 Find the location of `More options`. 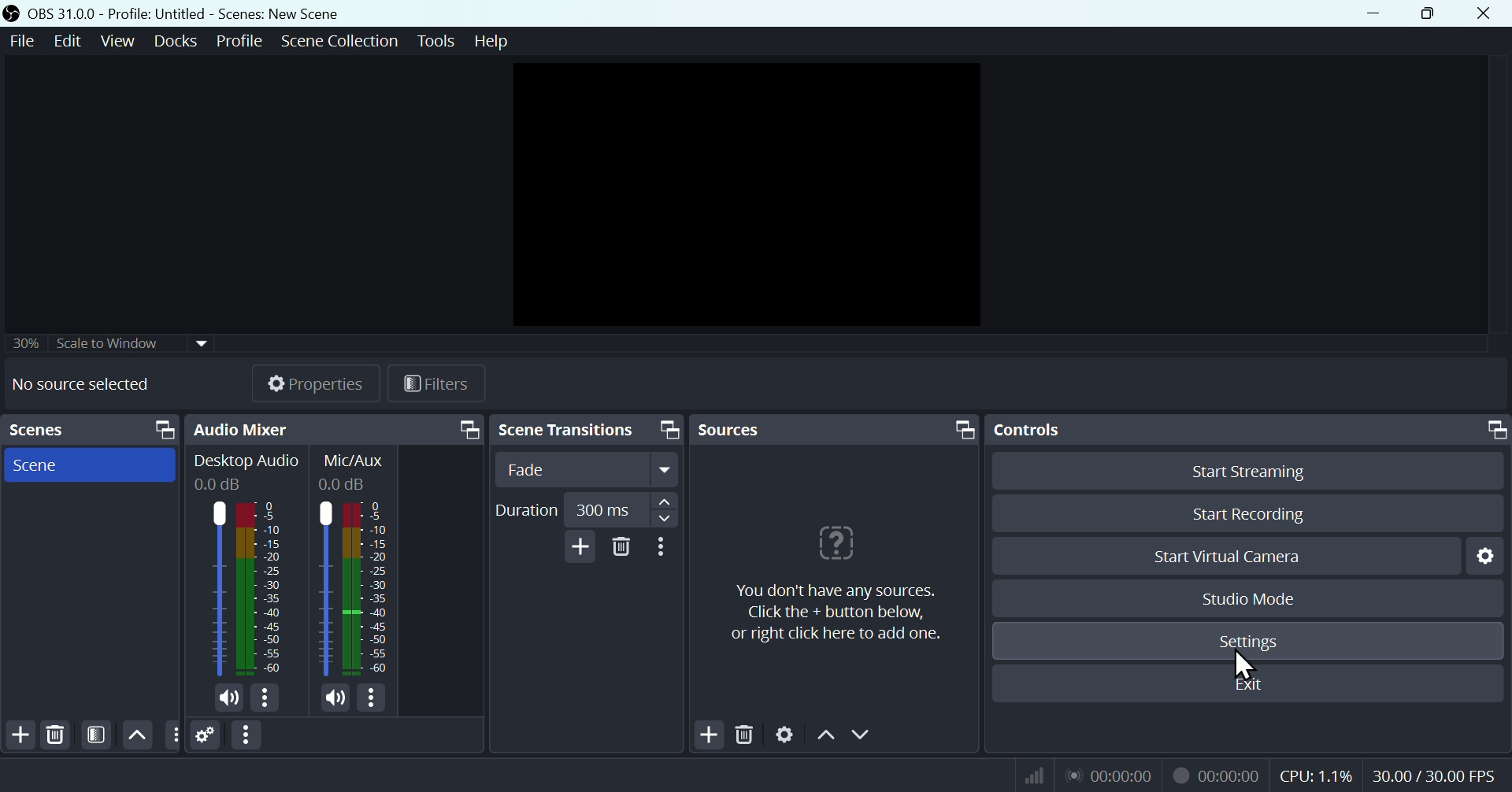

More options is located at coordinates (667, 553).